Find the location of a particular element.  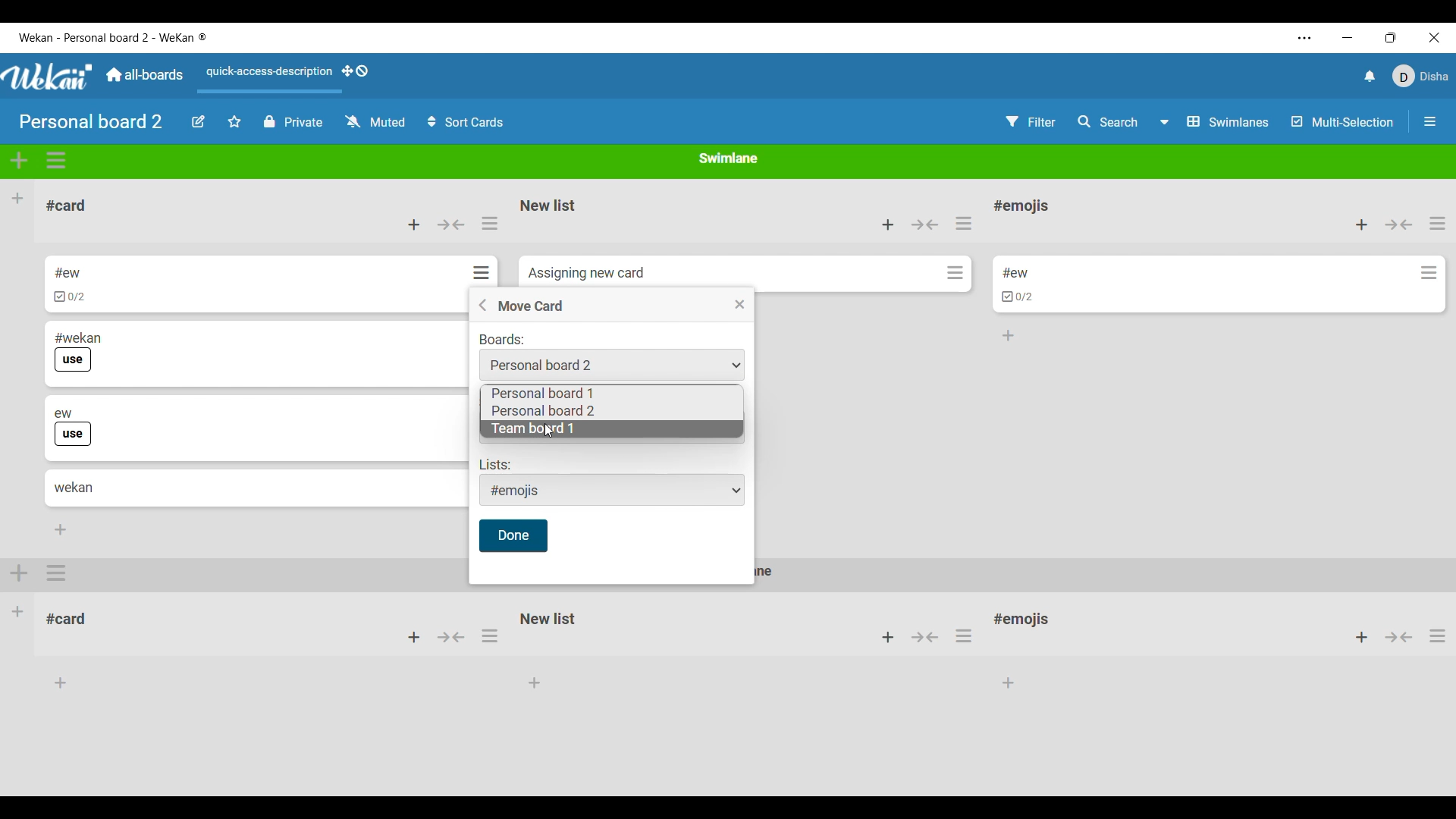

List name is located at coordinates (548, 206).